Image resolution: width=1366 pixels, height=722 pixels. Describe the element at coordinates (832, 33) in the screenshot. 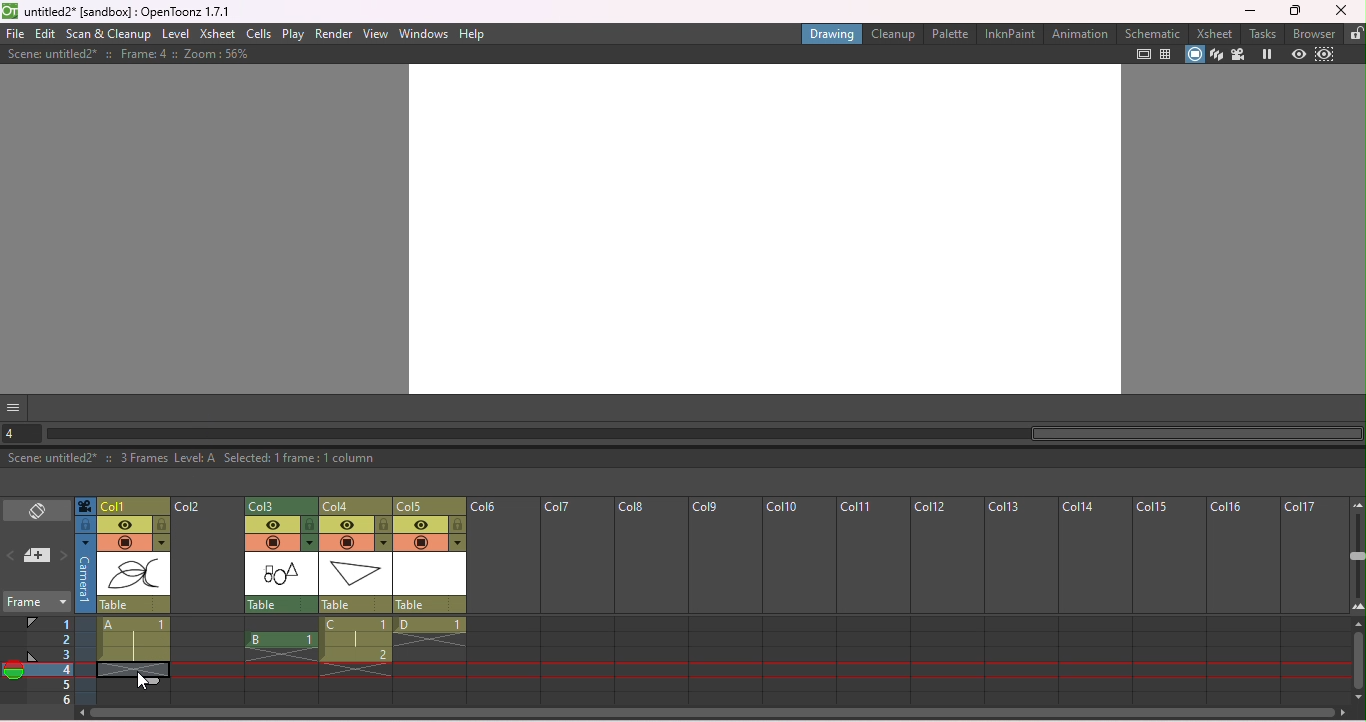

I see `Drawing` at that location.